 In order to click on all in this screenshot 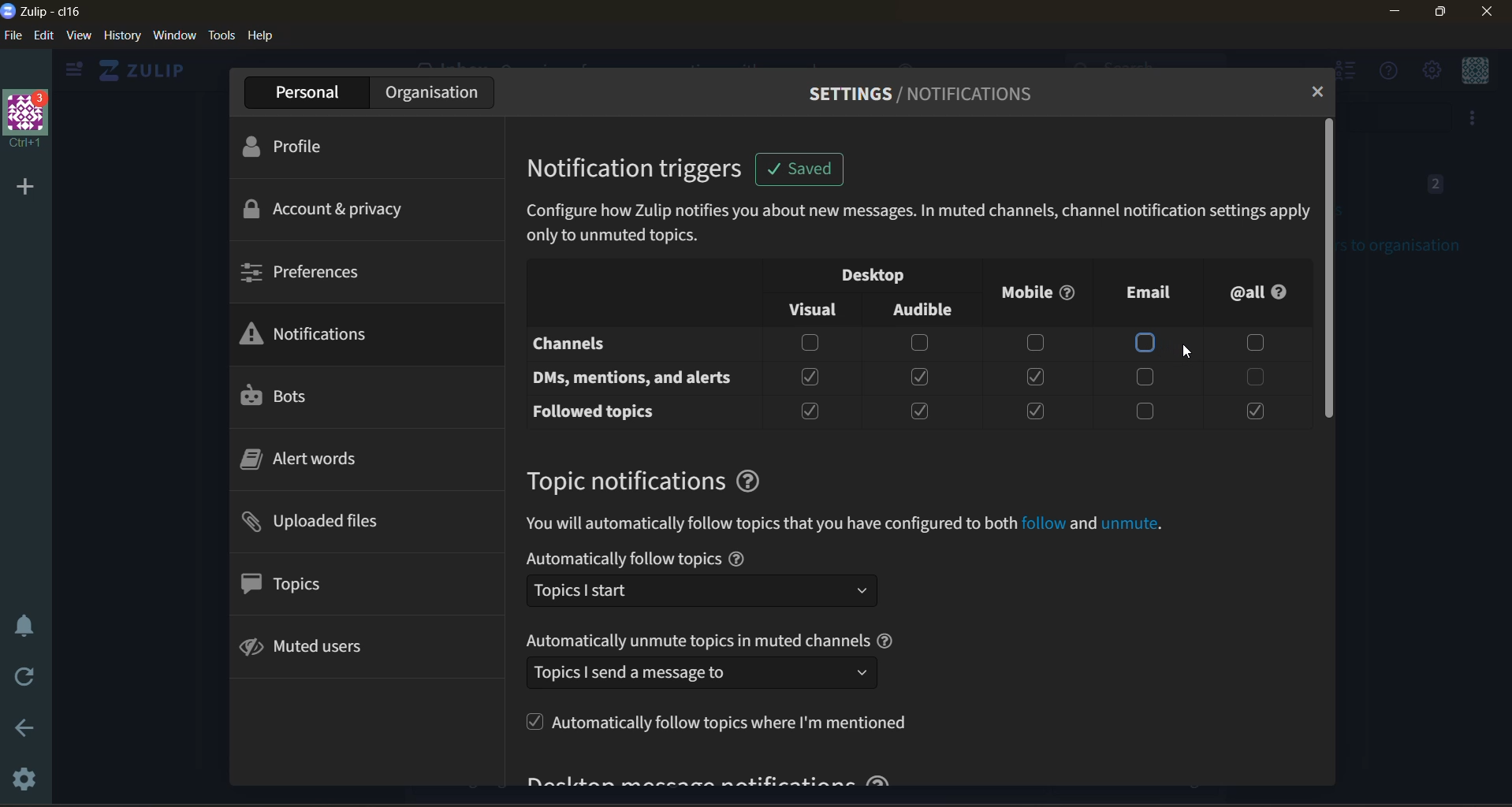, I will do `click(1260, 291)`.